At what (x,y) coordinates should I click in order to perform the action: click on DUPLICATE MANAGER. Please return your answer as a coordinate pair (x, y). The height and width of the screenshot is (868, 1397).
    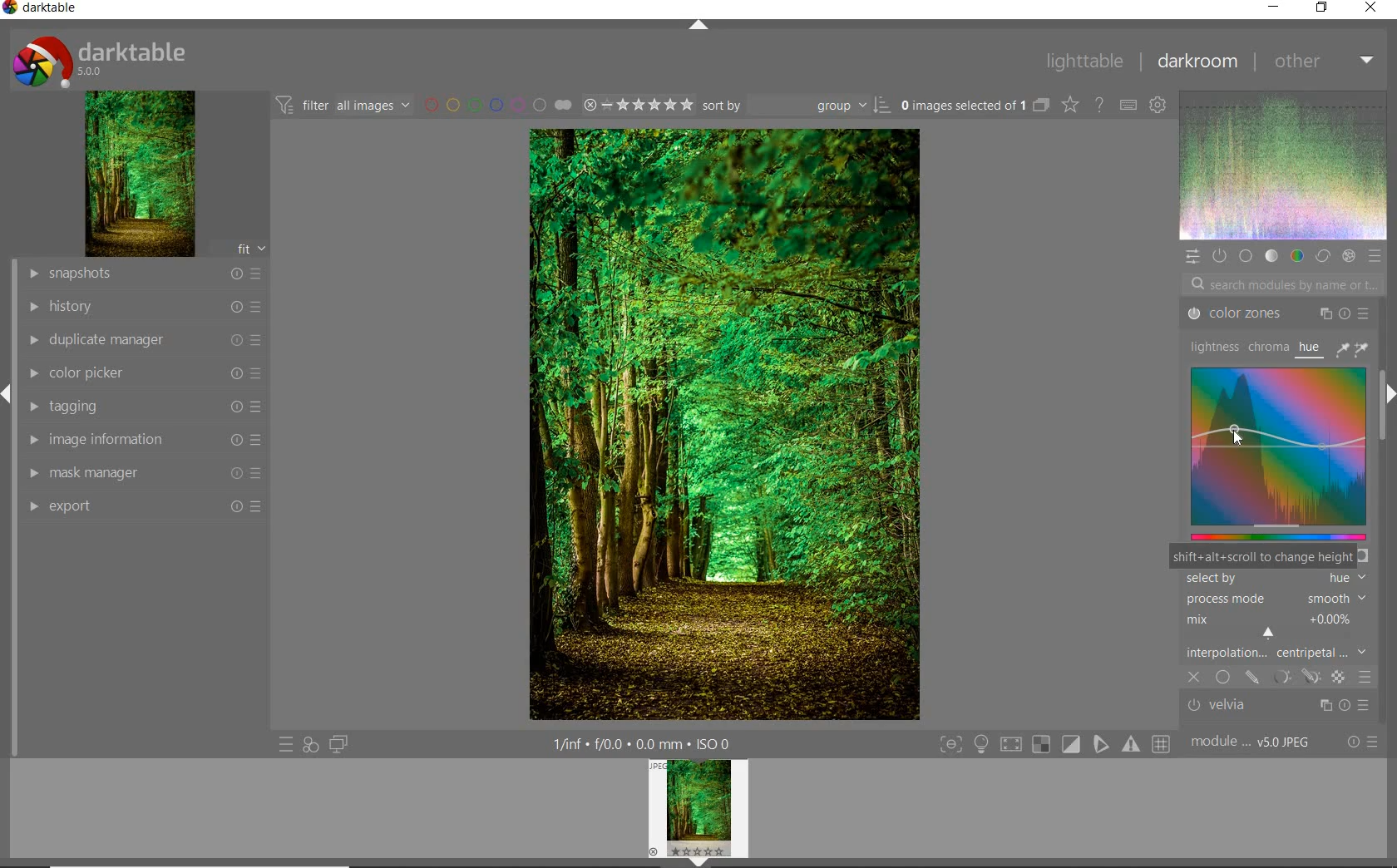
    Looking at the image, I should click on (143, 338).